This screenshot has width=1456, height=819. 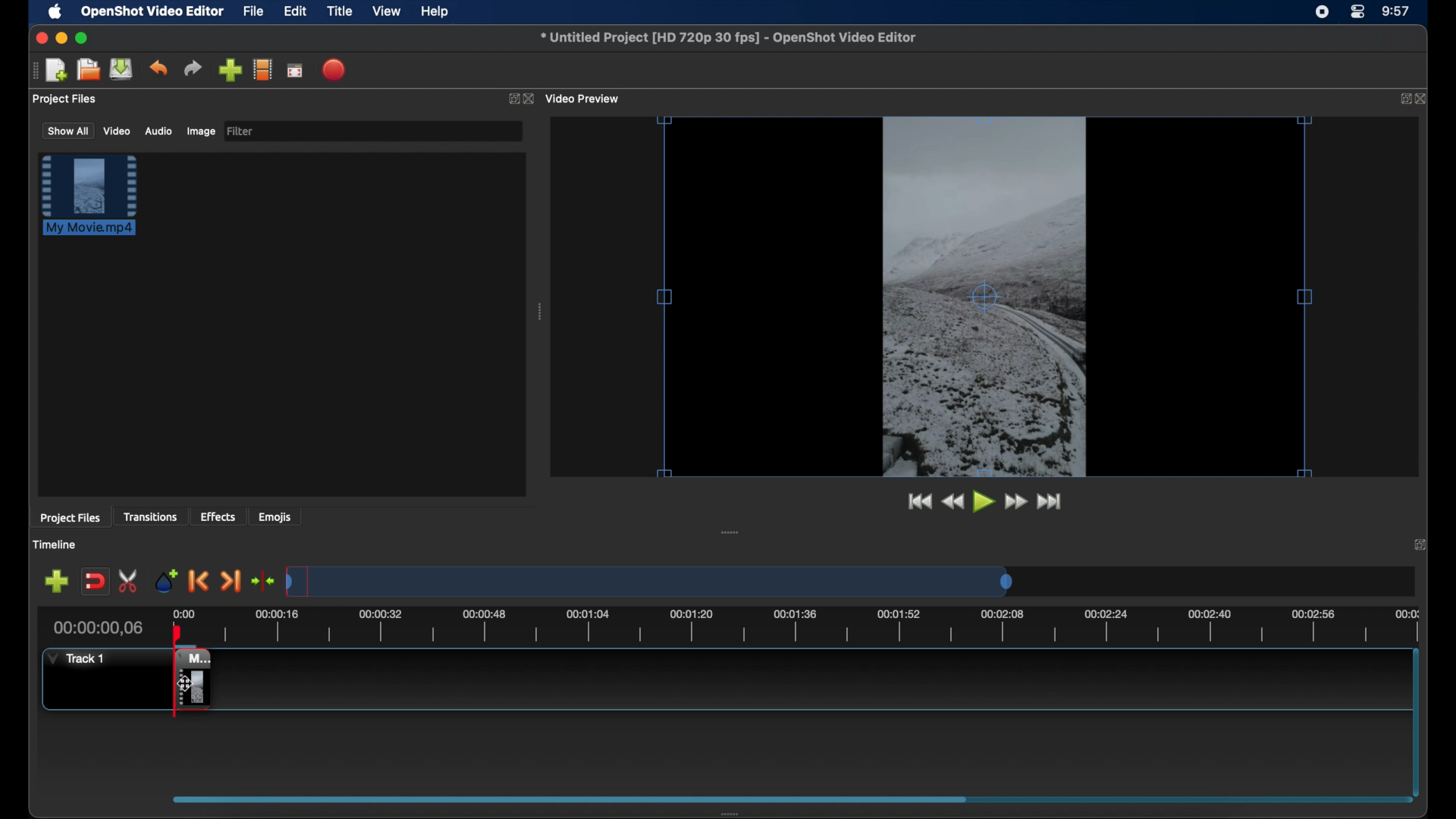 What do you see at coordinates (262, 69) in the screenshot?
I see `explore profiles` at bounding box center [262, 69].